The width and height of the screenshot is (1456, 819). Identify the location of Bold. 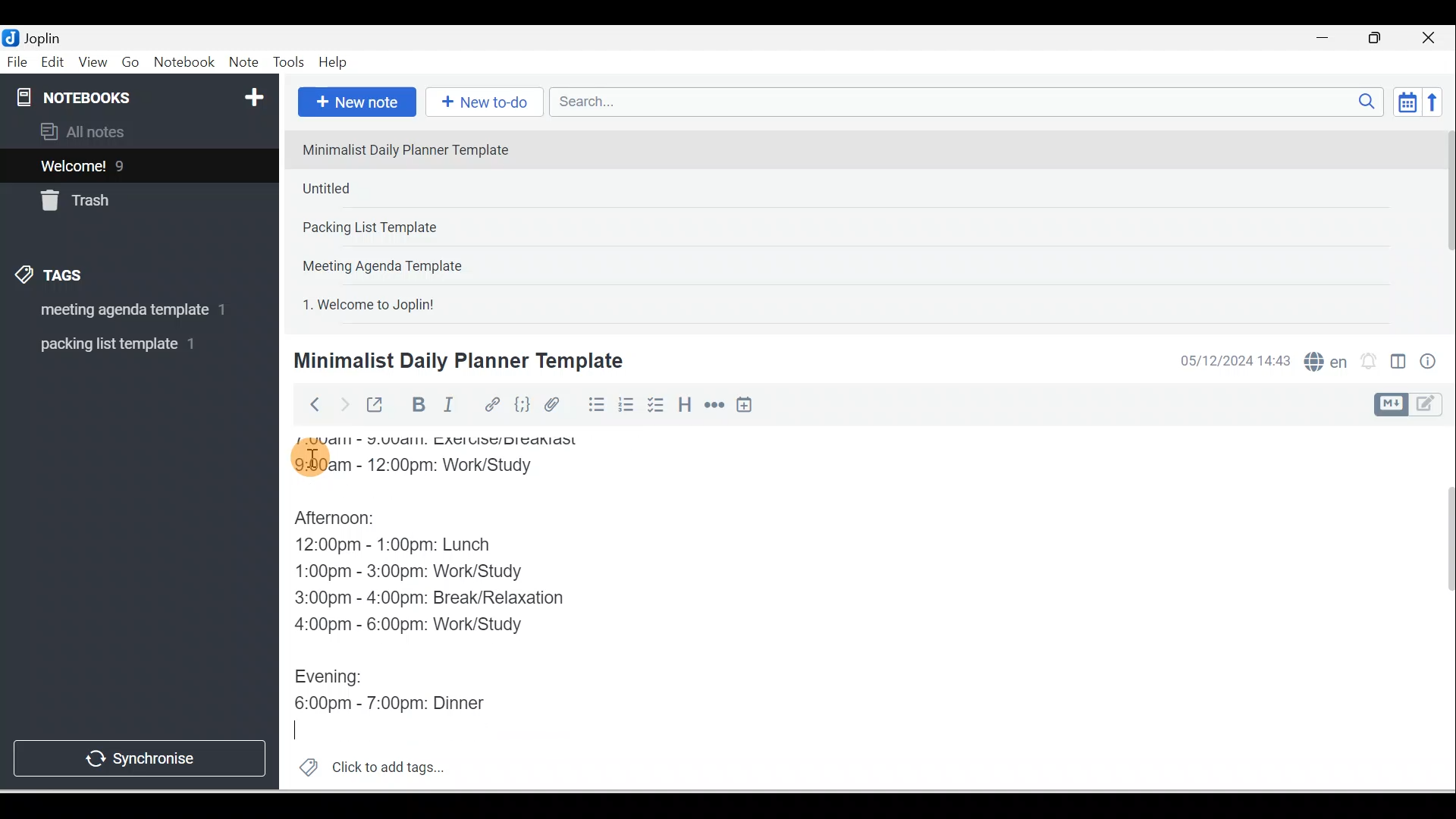
(416, 405).